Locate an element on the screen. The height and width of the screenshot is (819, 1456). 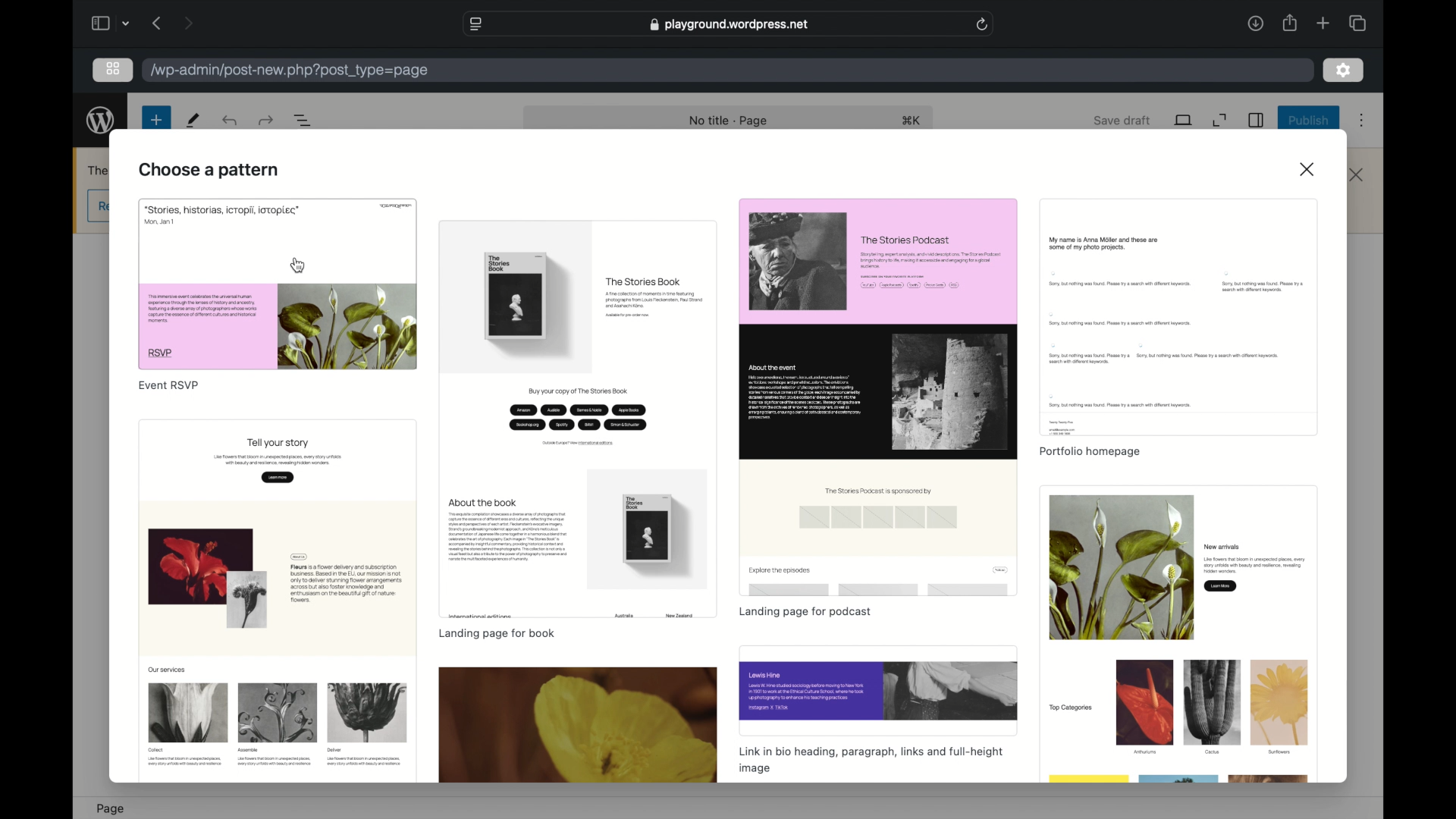
downloads is located at coordinates (1255, 23).